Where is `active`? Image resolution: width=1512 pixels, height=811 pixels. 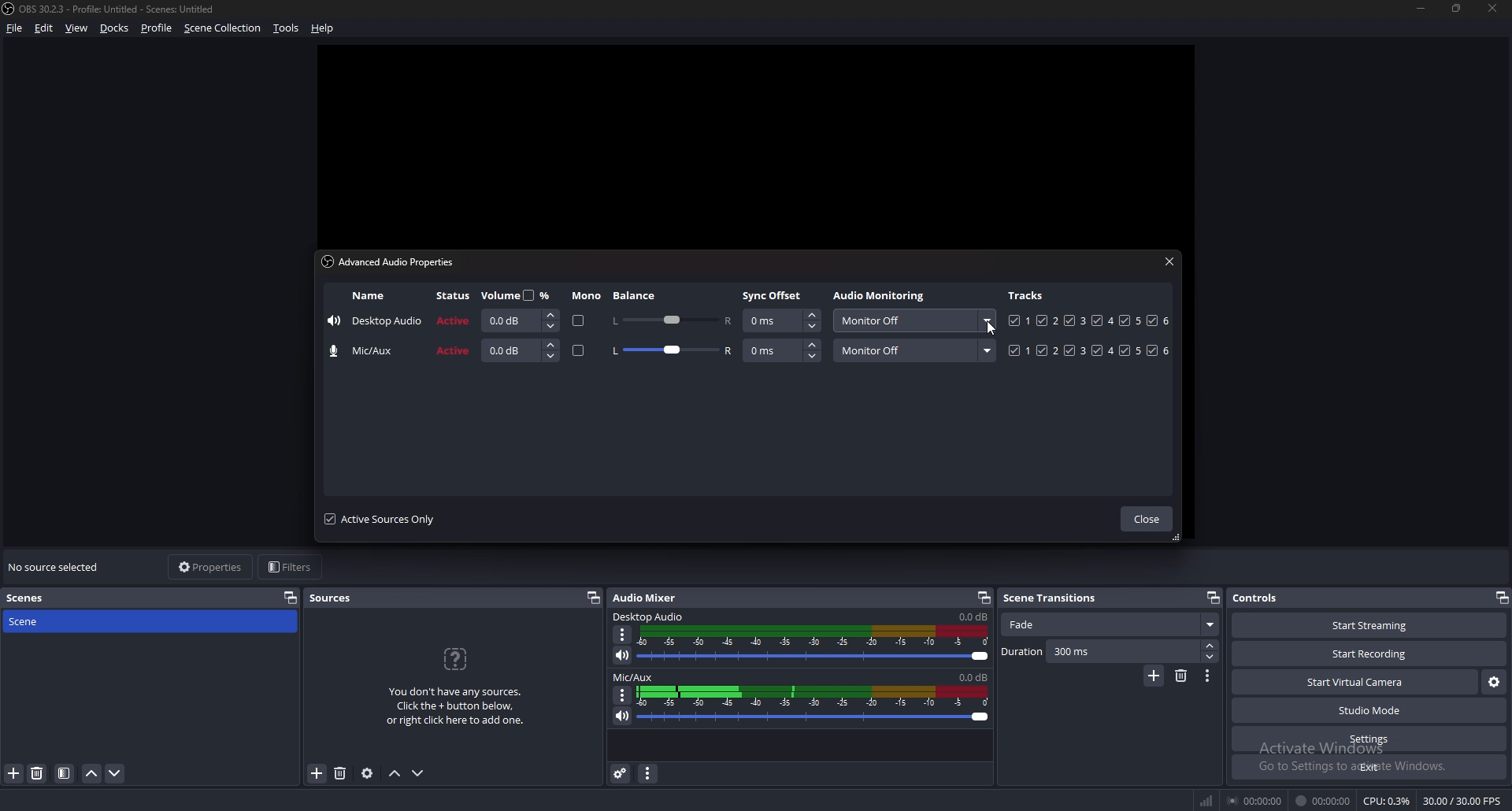 active is located at coordinates (455, 320).